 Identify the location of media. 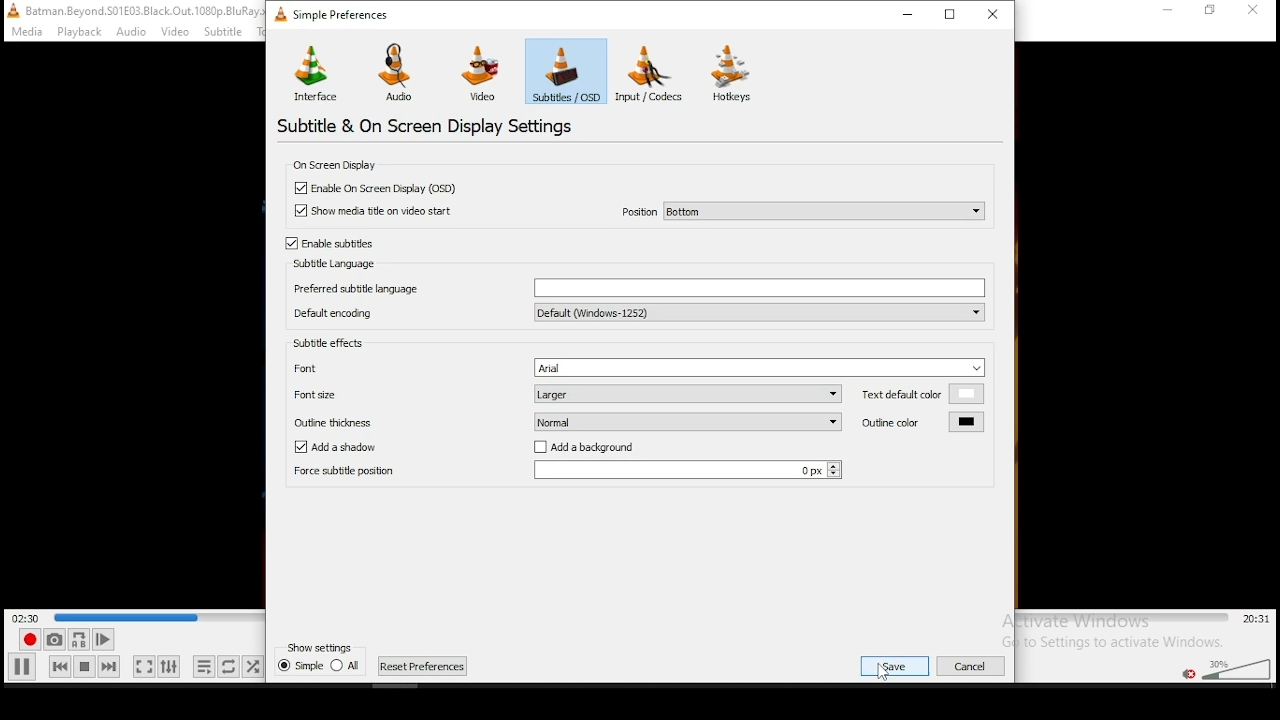
(29, 32).